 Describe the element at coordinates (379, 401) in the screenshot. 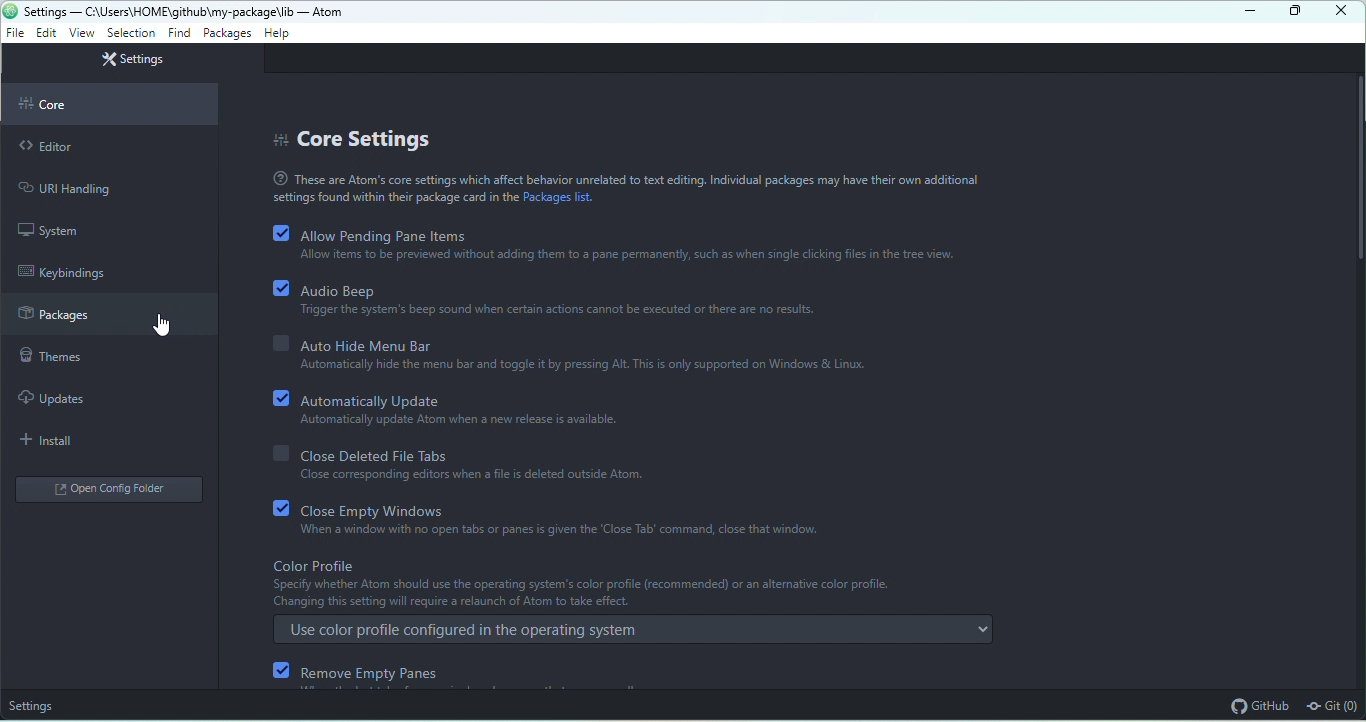

I see `automatically update` at that location.